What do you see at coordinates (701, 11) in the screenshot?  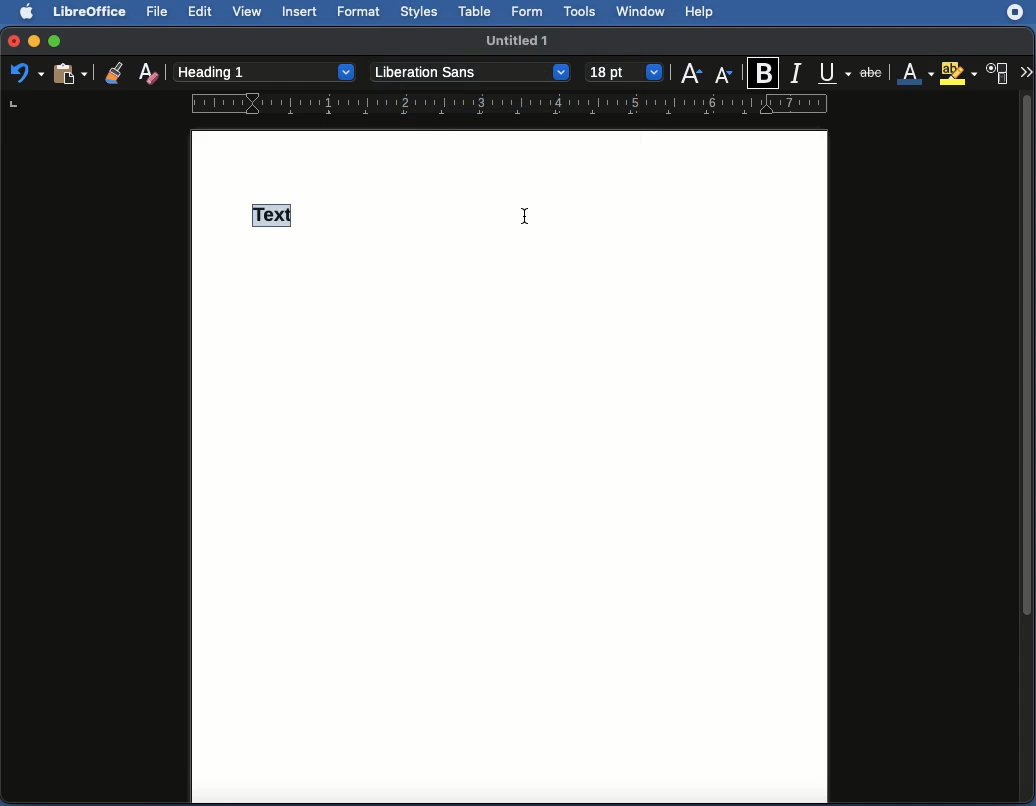 I see `Help` at bounding box center [701, 11].